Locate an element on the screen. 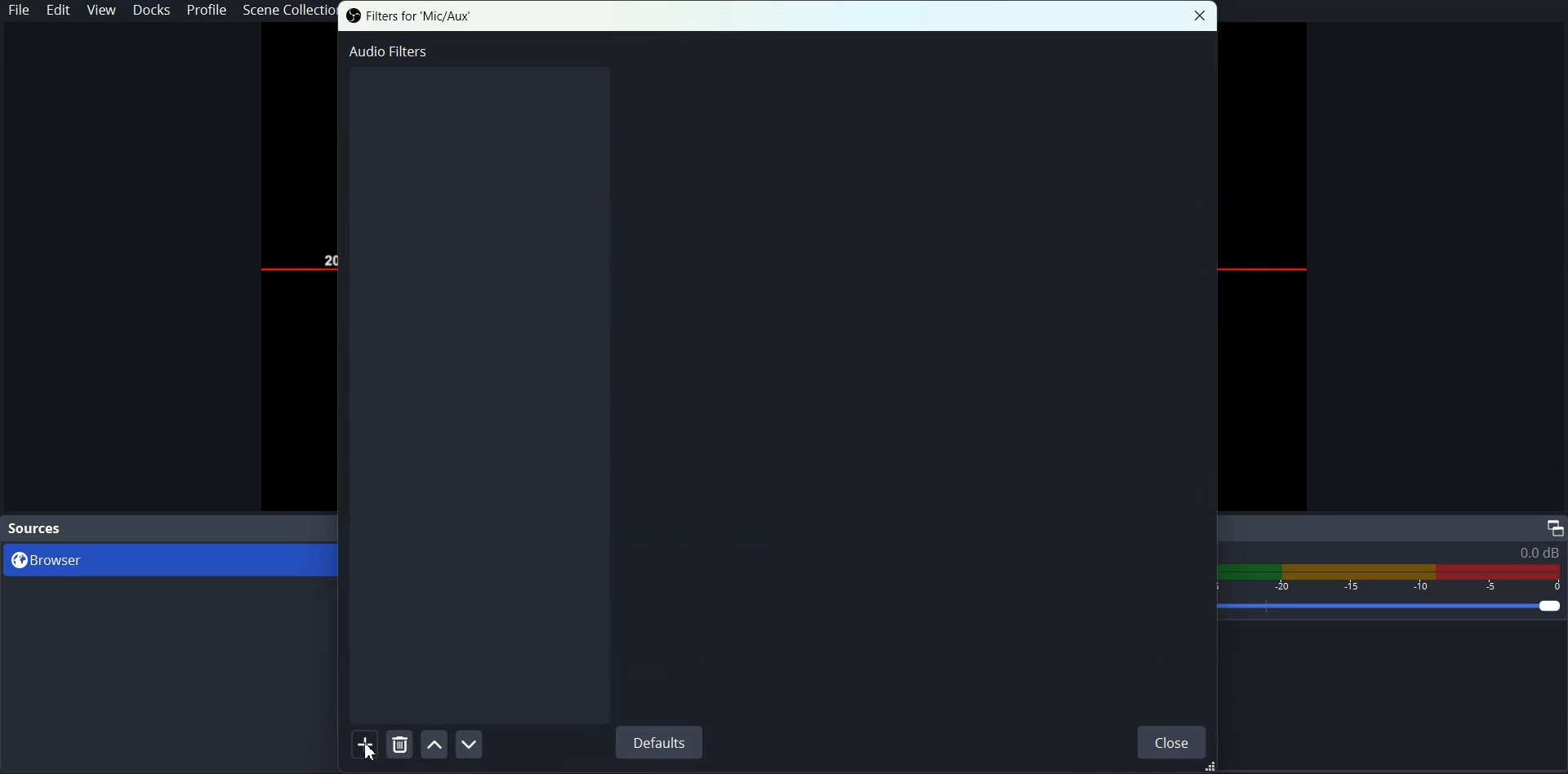  Add Filter is located at coordinates (365, 745).